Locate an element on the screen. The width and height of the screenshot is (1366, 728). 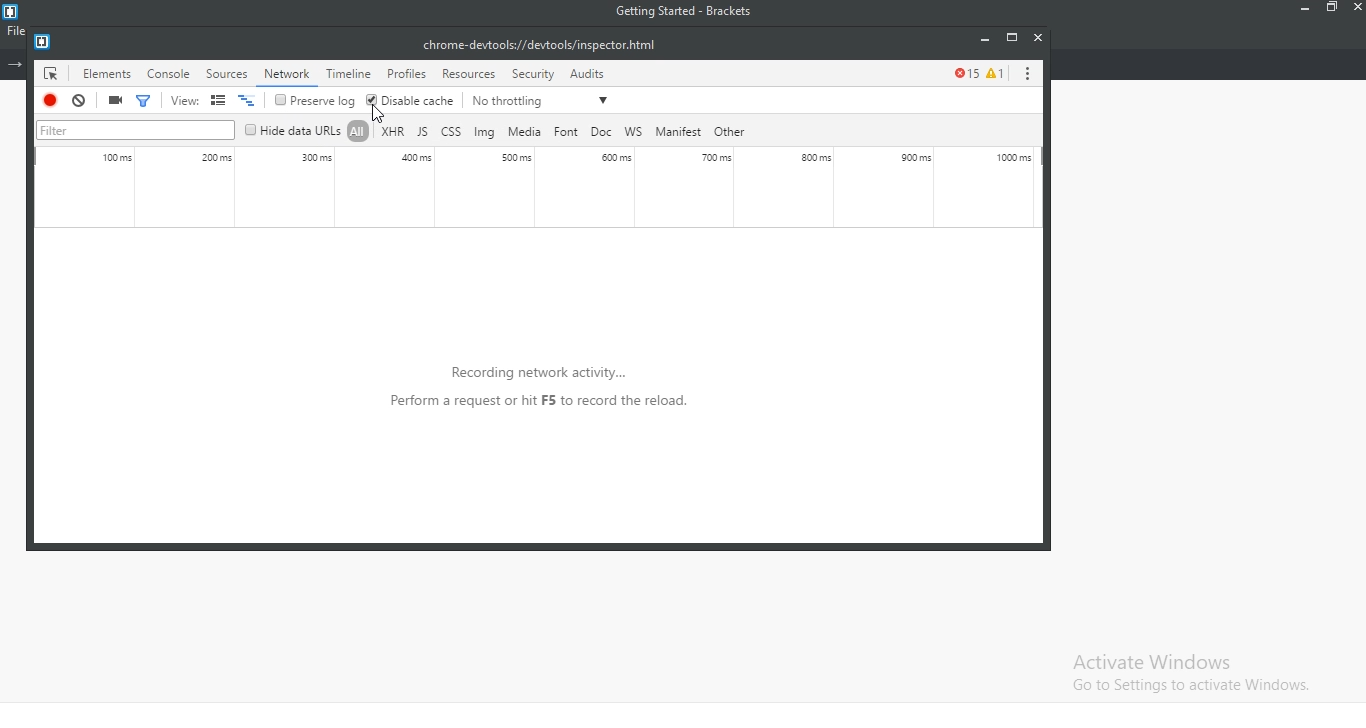
icon is located at coordinates (47, 75).